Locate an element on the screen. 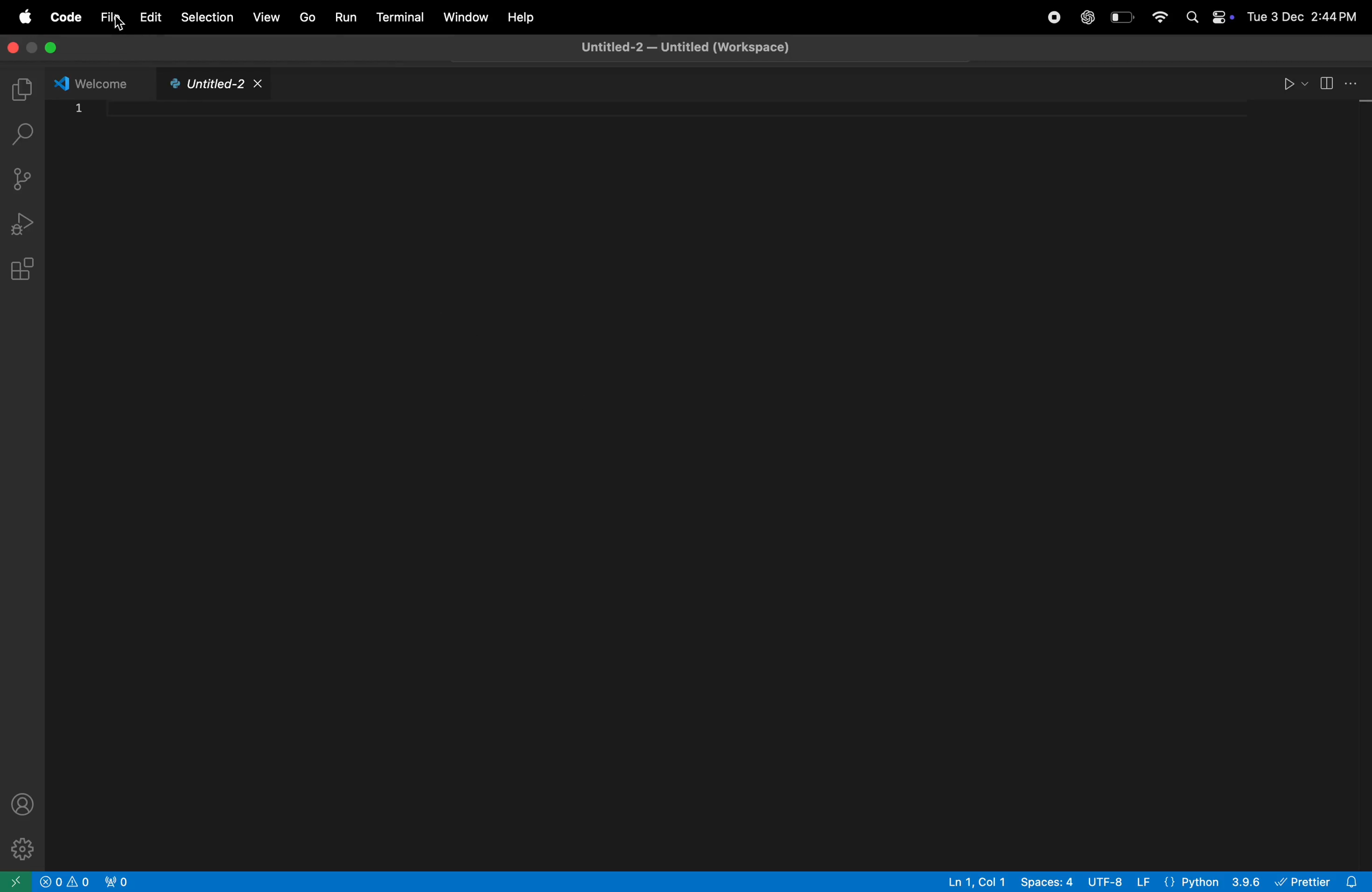  battery is located at coordinates (1124, 17).